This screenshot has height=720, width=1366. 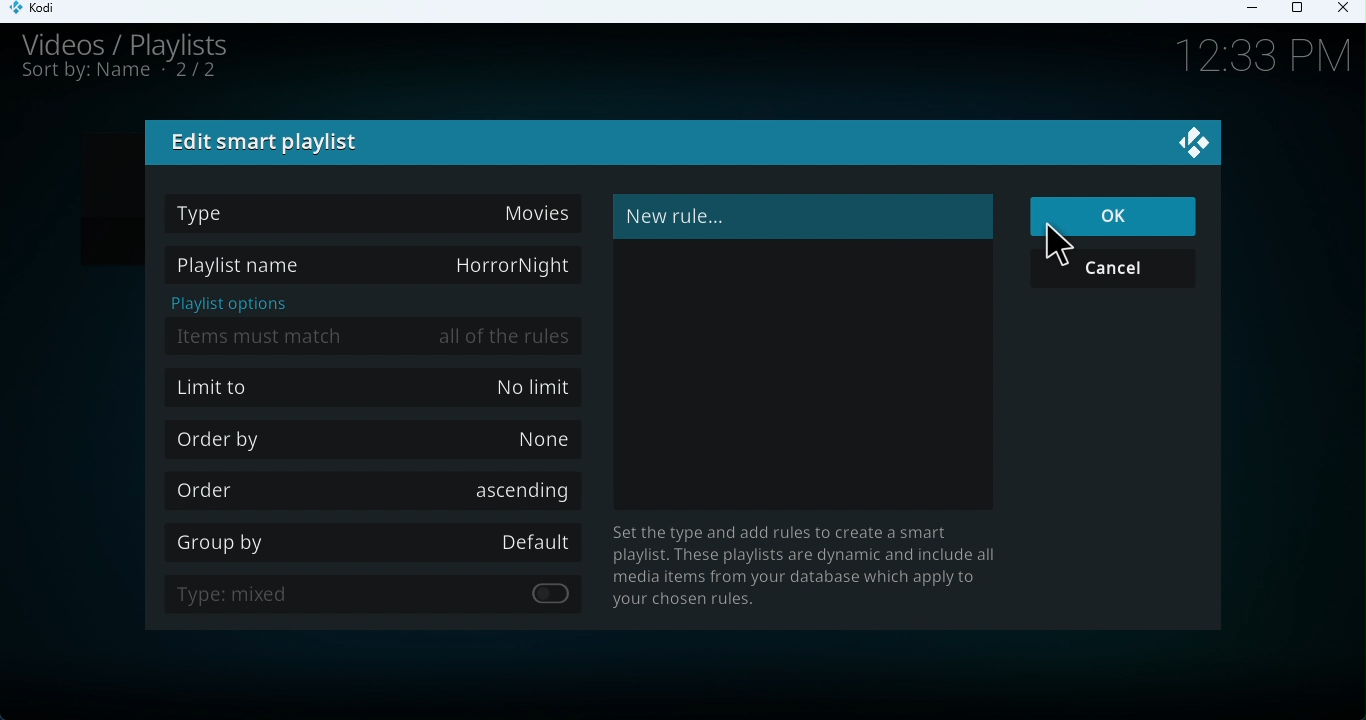 What do you see at coordinates (379, 438) in the screenshot?
I see `Order by` at bounding box center [379, 438].